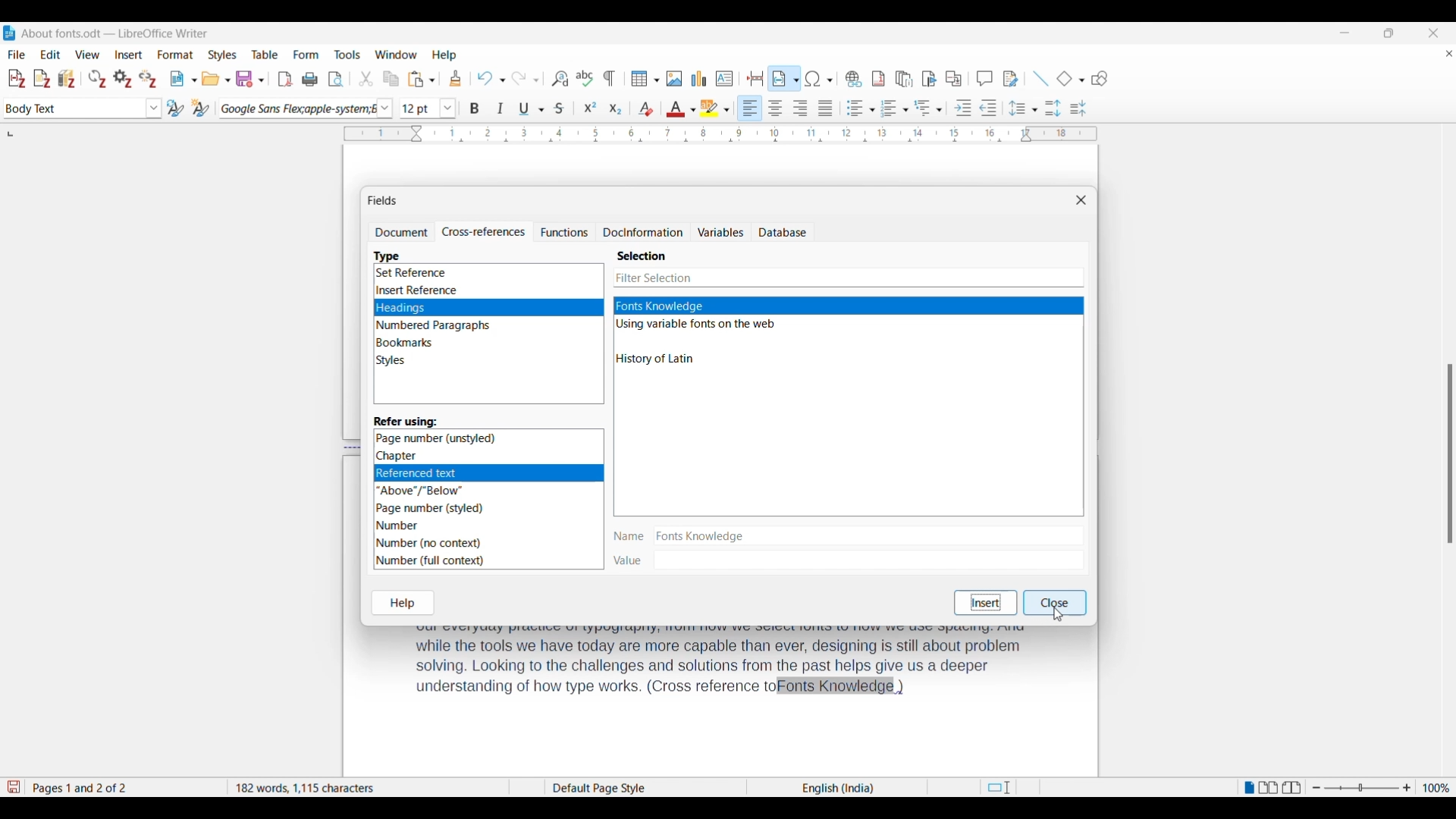  Describe the element at coordinates (1082, 200) in the screenshot. I see `Close window` at that location.